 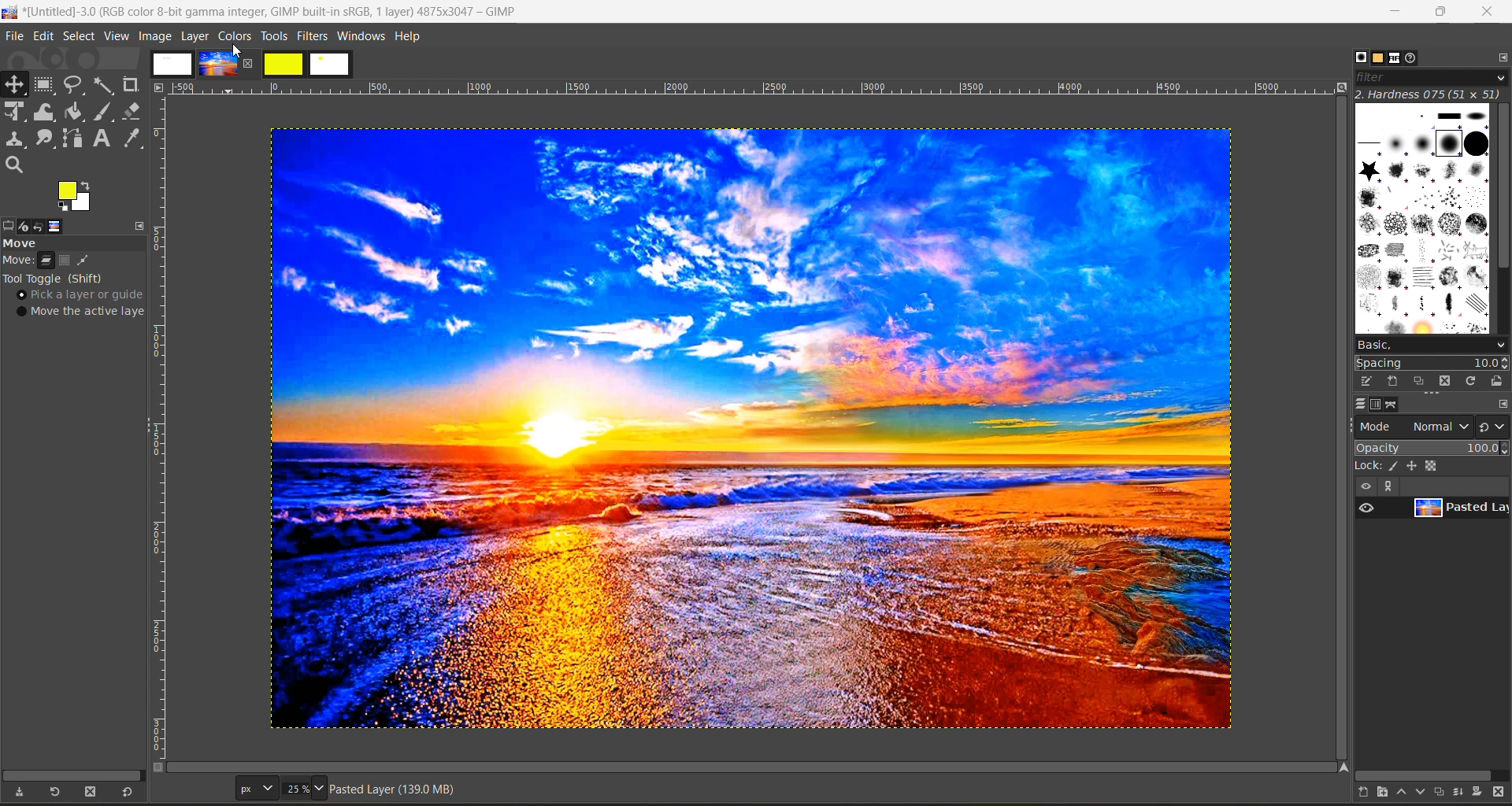 What do you see at coordinates (1503, 190) in the screenshot?
I see `vertical scroll bar` at bounding box center [1503, 190].